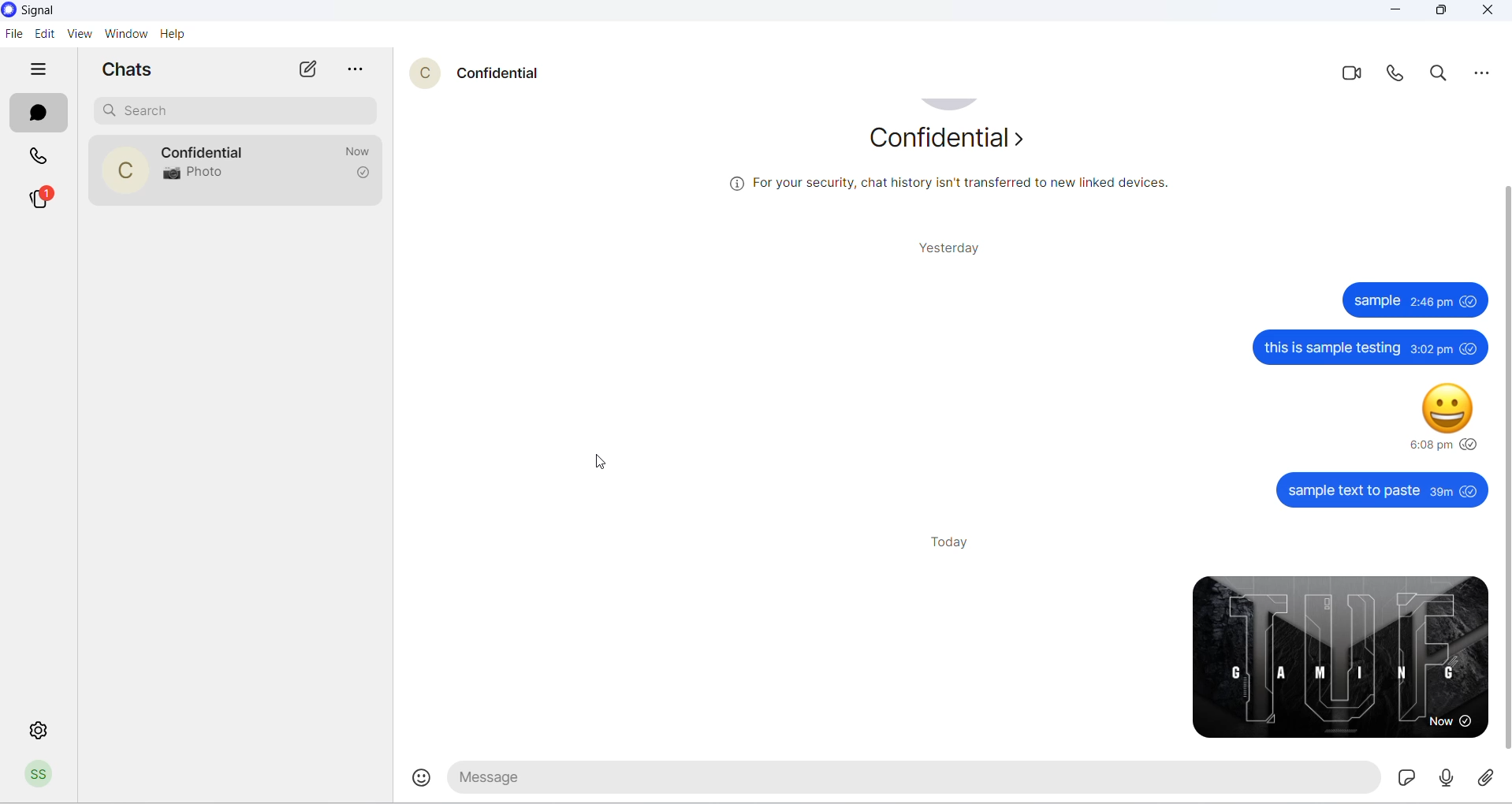 The height and width of the screenshot is (804, 1512). Describe the element at coordinates (1487, 778) in the screenshot. I see `share attachment` at that location.